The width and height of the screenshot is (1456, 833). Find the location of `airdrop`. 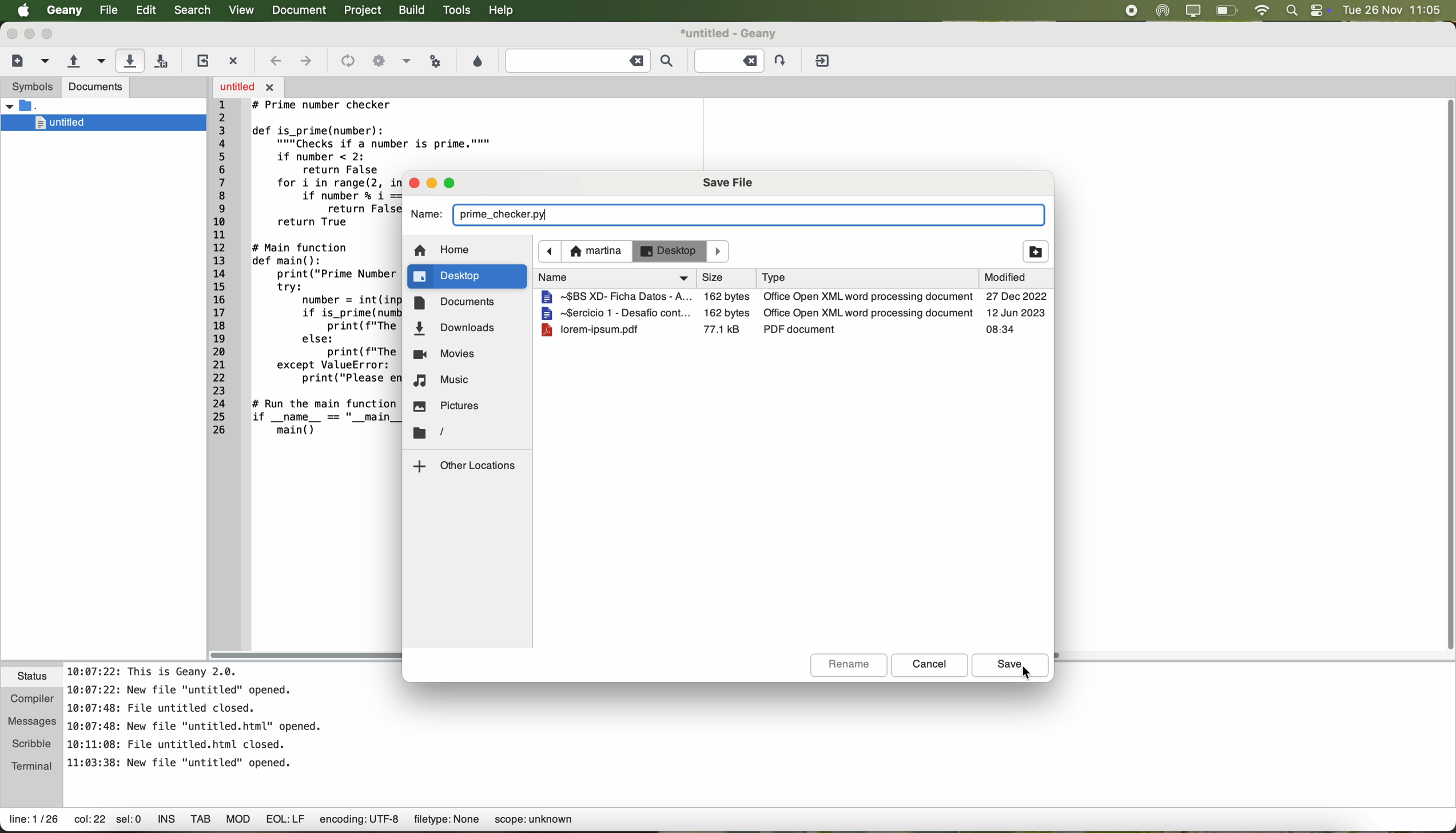

airdrop is located at coordinates (1163, 11).